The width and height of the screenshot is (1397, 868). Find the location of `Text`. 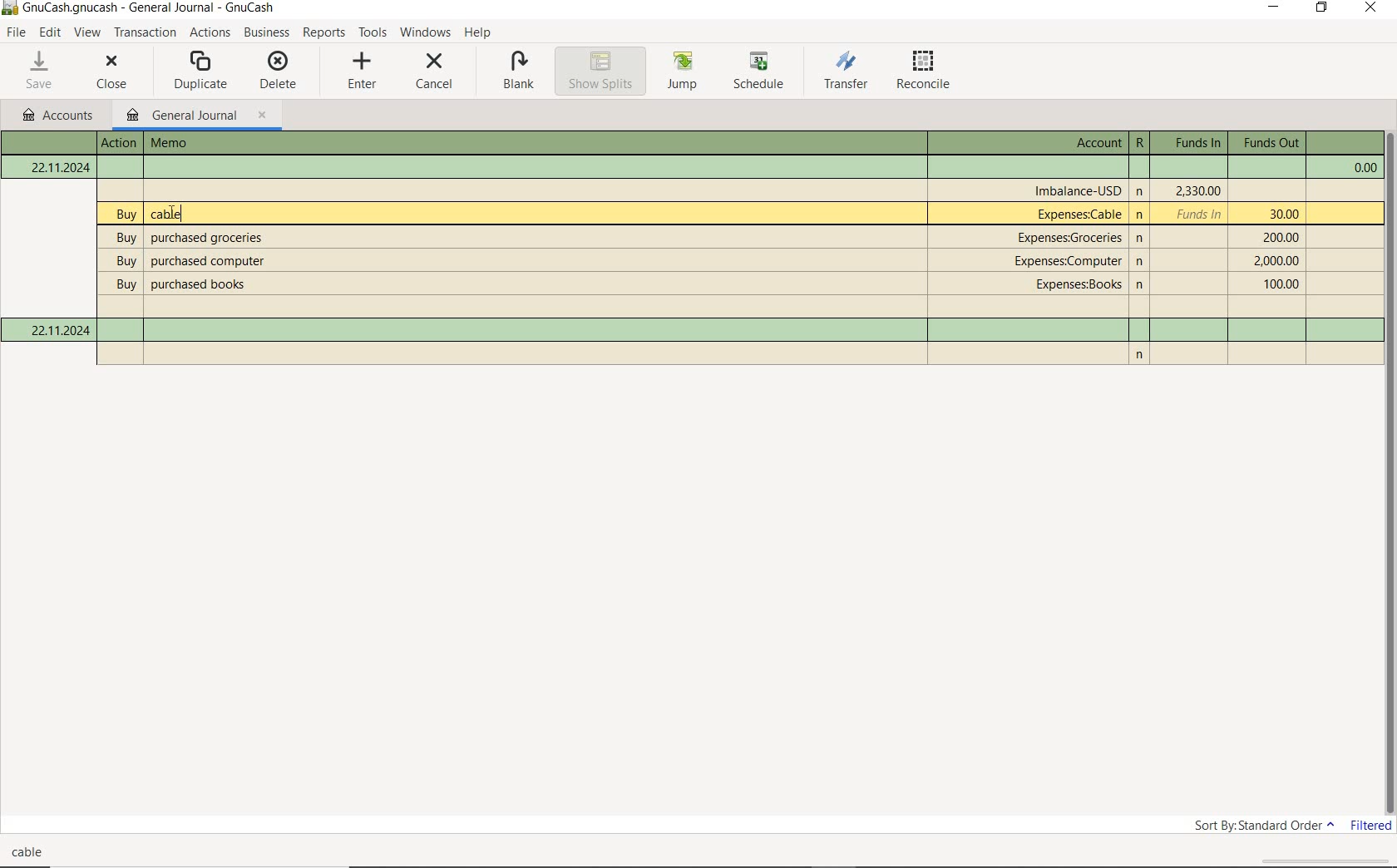

Text is located at coordinates (1139, 143).